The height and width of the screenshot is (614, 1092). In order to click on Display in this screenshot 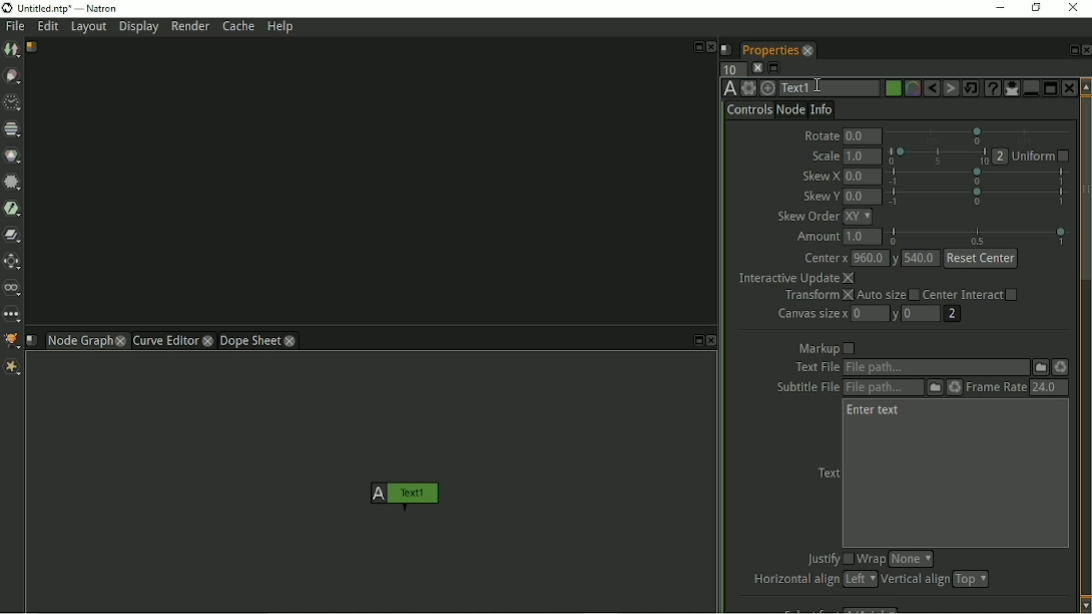, I will do `click(140, 28)`.